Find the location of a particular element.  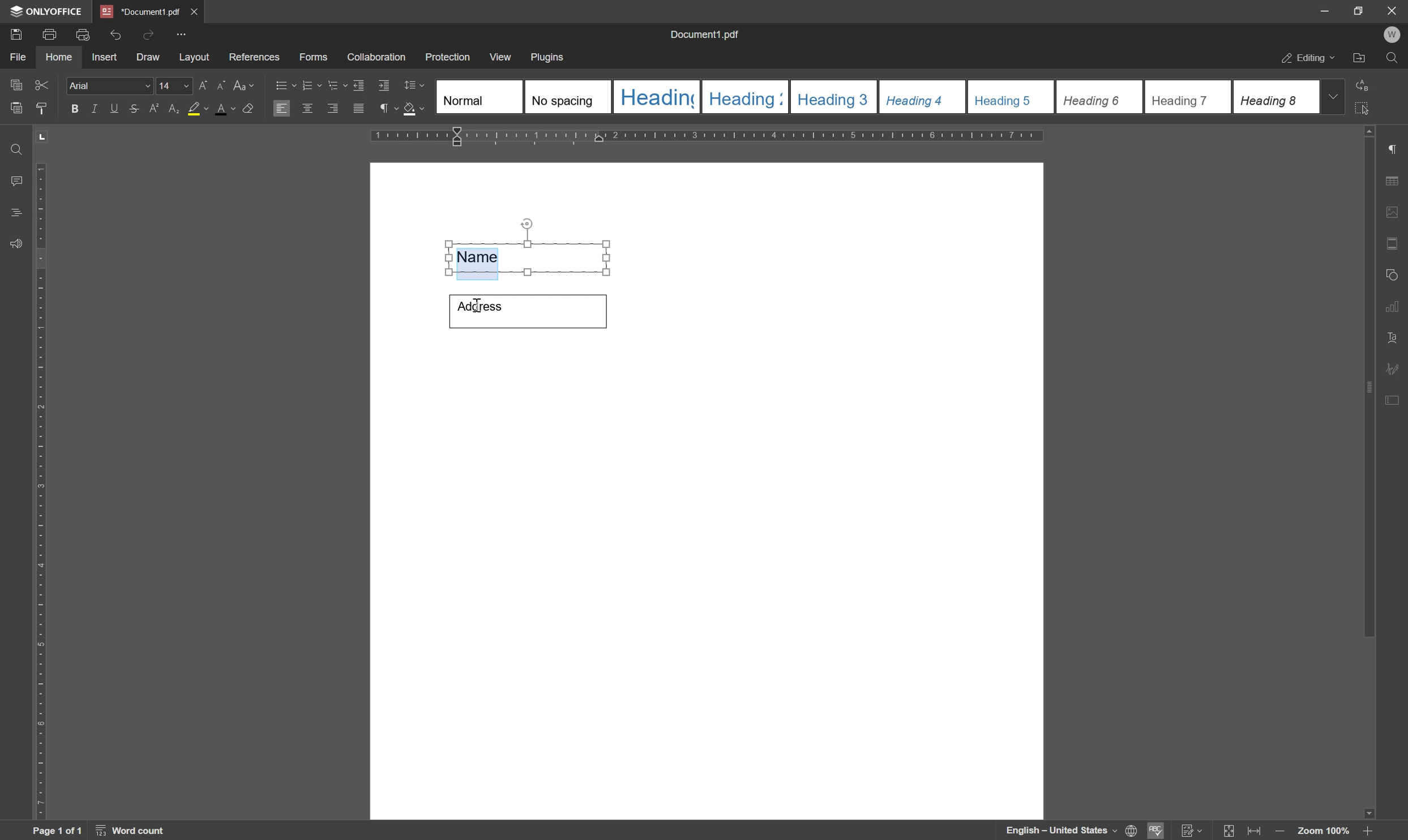

subscript is located at coordinates (171, 108).